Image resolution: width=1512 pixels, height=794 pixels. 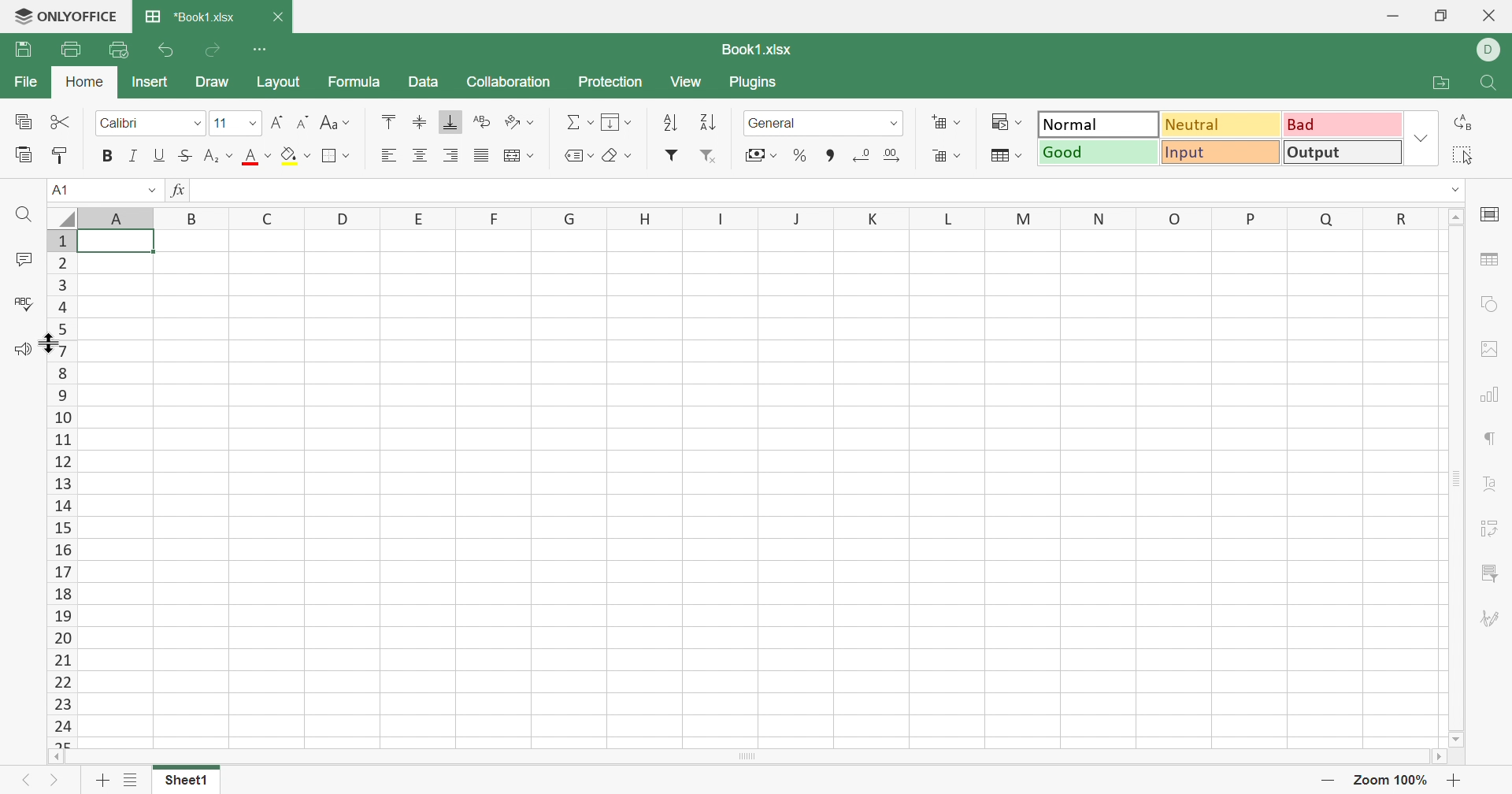 What do you see at coordinates (1489, 84) in the screenshot?
I see `Find` at bounding box center [1489, 84].